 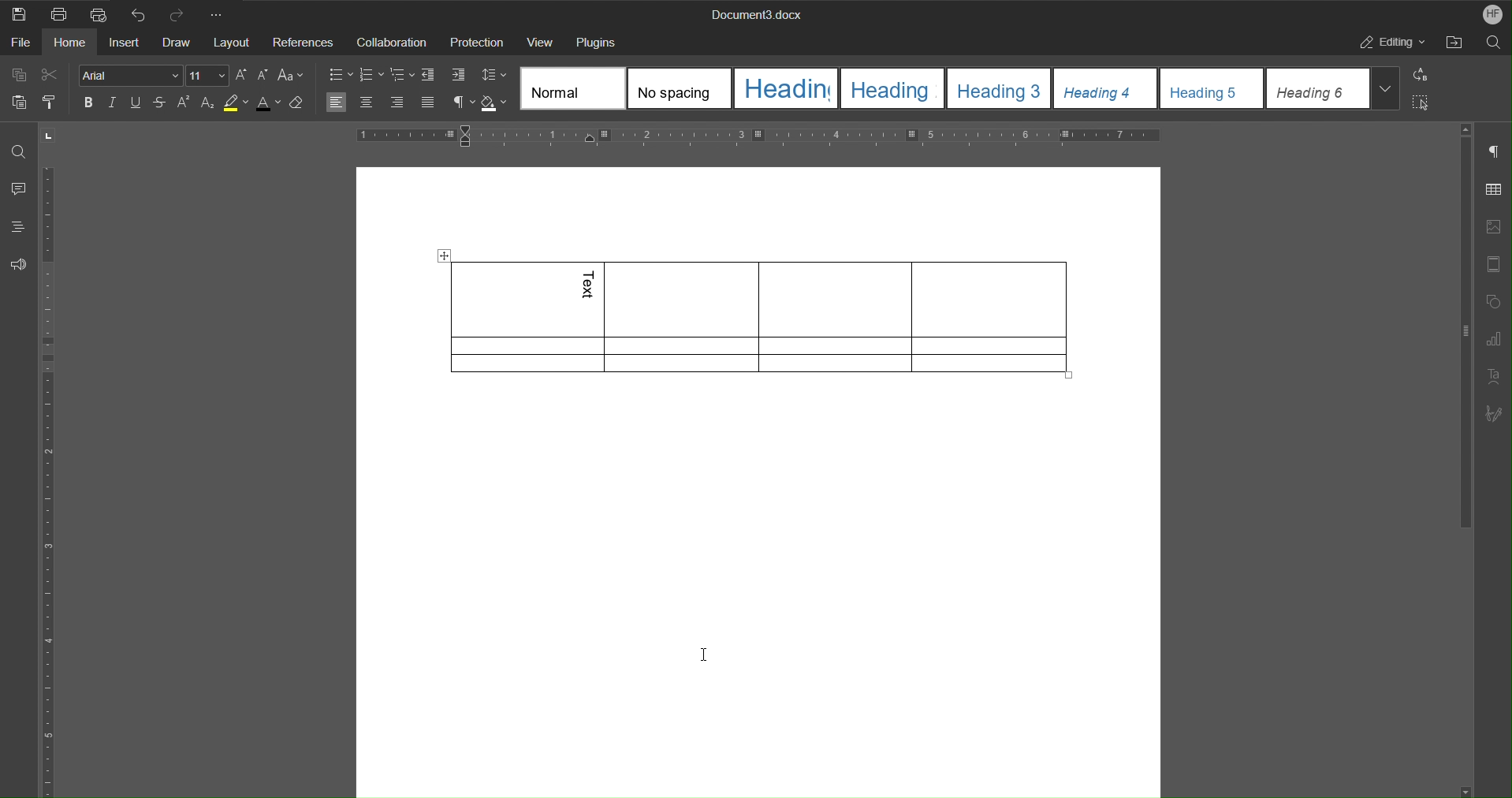 I want to click on Heading 4, so click(x=1105, y=88).